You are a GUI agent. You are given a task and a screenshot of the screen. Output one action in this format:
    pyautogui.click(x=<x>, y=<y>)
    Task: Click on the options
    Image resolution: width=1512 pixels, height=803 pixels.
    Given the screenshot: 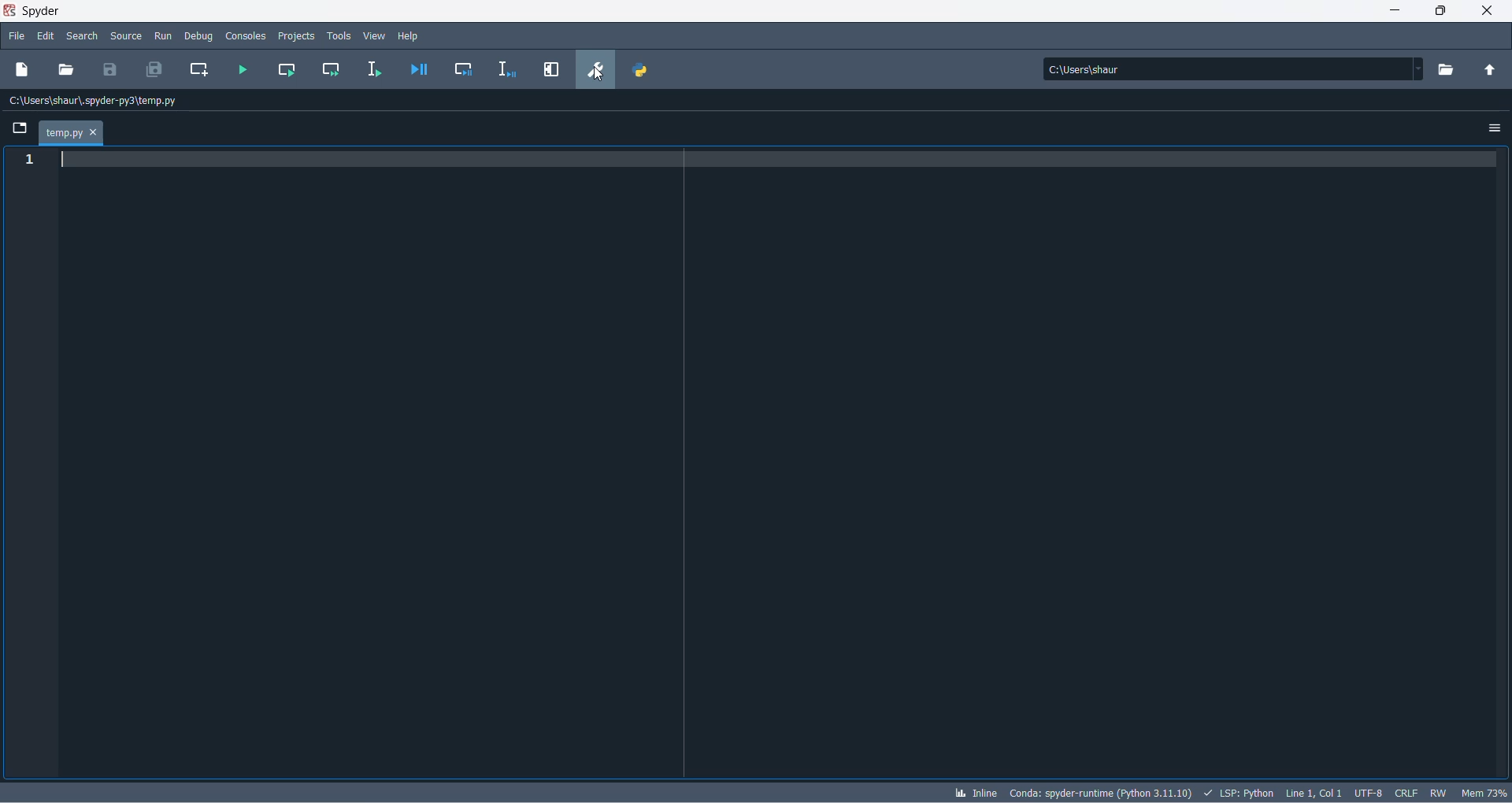 What is the action you would take?
    pyautogui.click(x=1494, y=128)
    